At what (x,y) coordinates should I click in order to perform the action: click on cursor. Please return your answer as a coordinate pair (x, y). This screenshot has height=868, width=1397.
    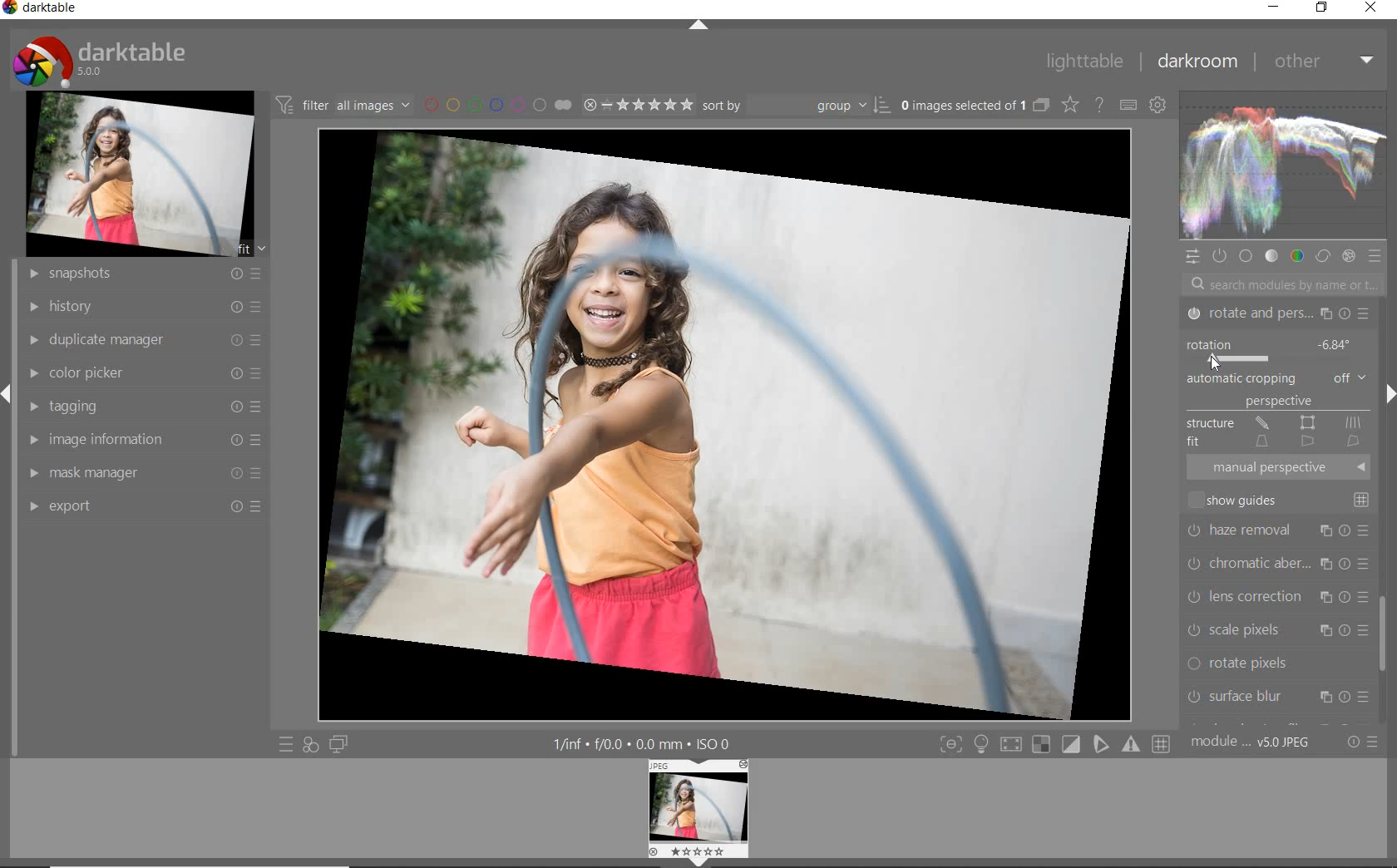
    Looking at the image, I should click on (1214, 365).